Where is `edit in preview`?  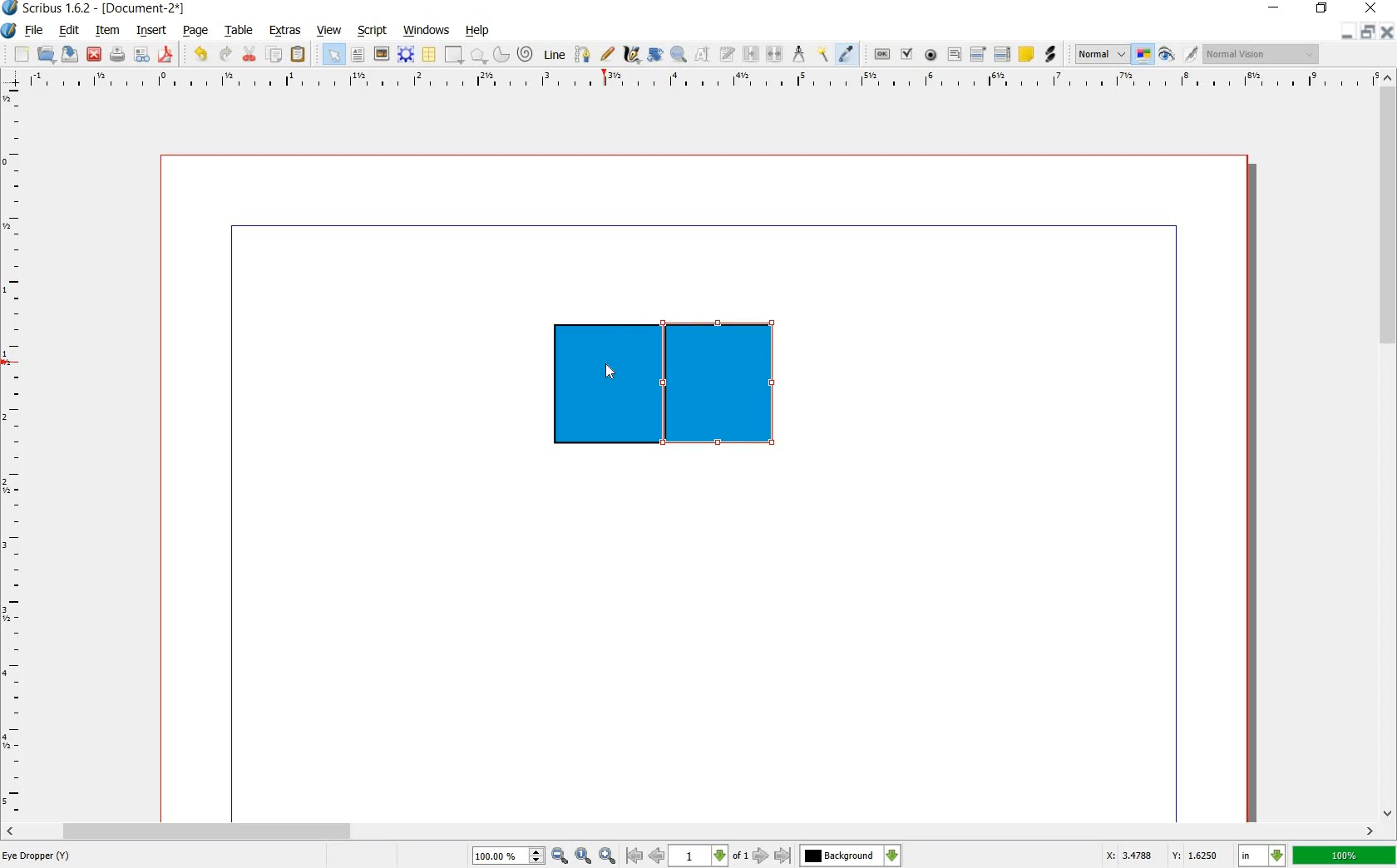 edit in preview is located at coordinates (1190, 53).